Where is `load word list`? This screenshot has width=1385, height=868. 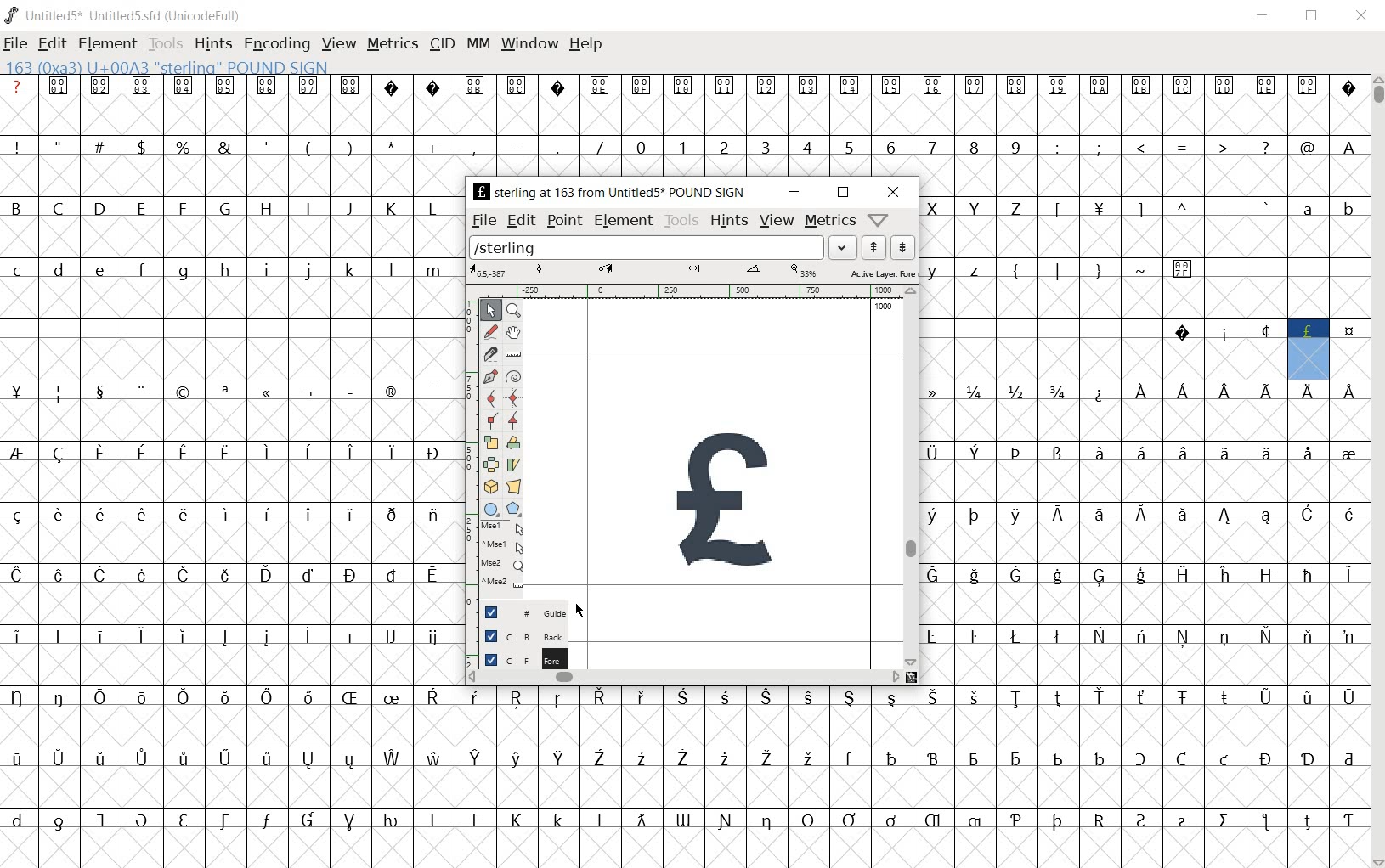 load word list is located at coordinates (843, 246).